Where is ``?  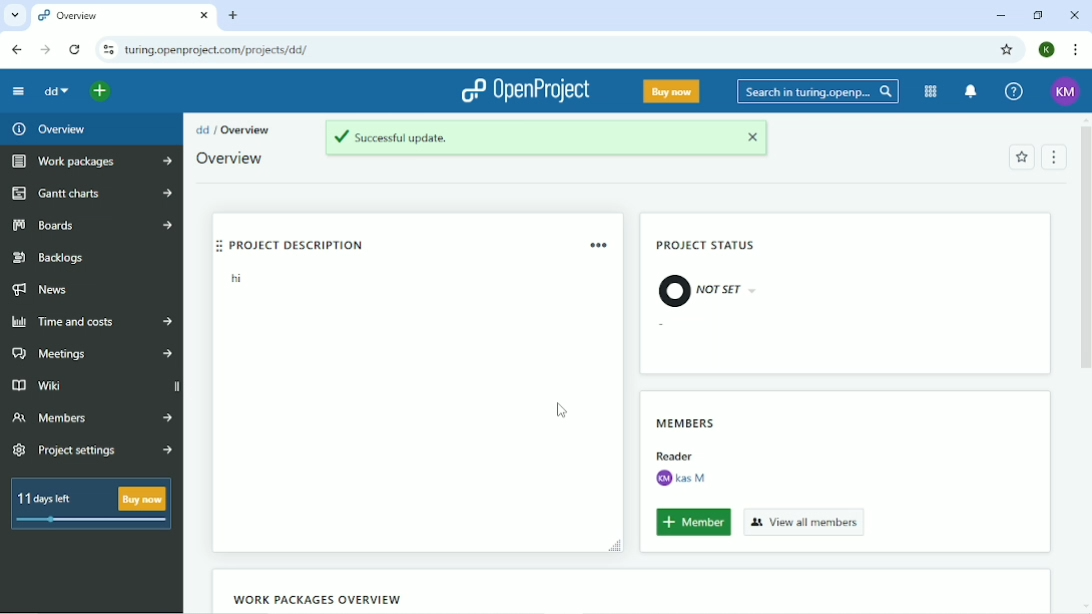  is located at coordinates (674, 453).